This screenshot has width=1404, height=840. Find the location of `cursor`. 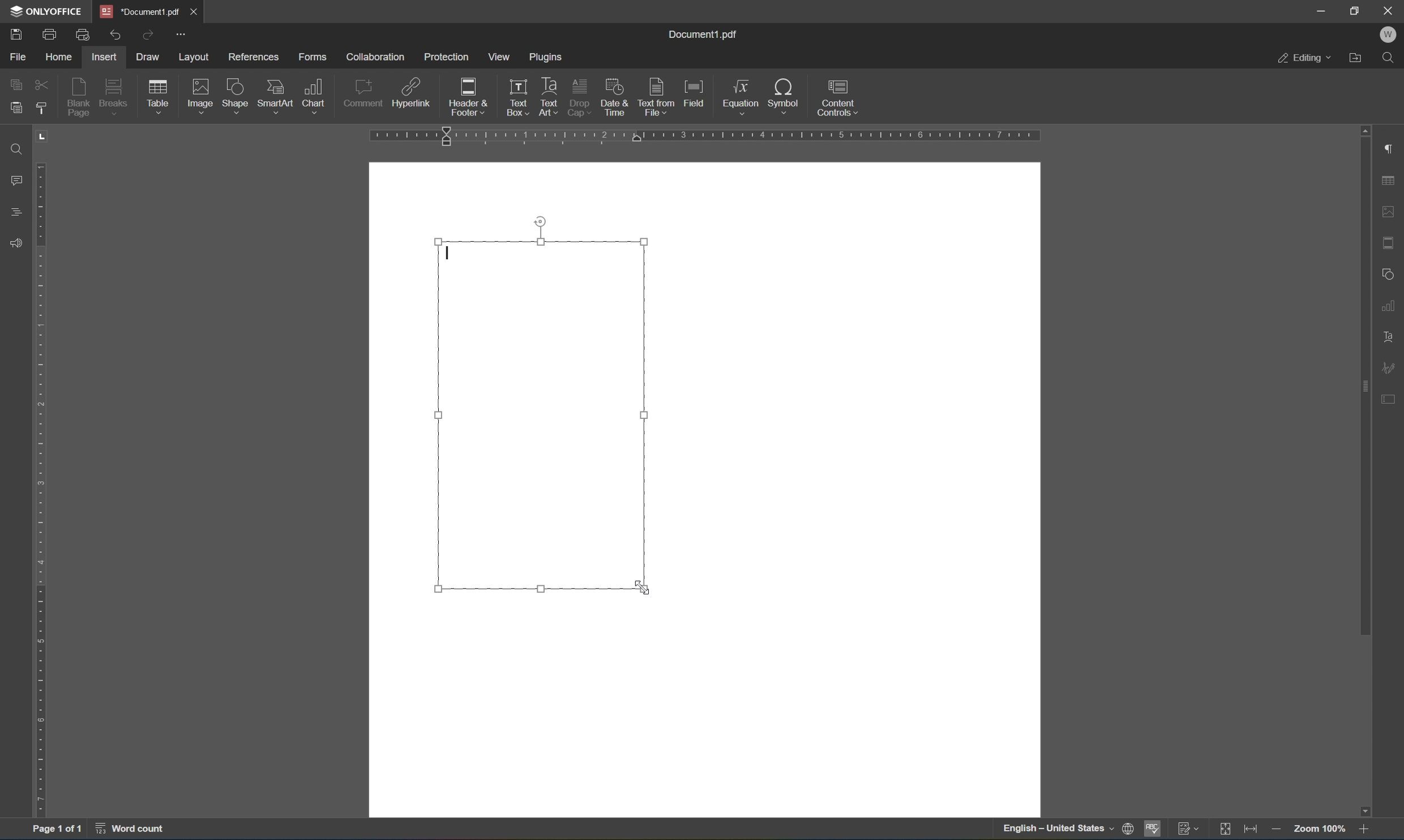

cursor is located at coordinates (448, 253).